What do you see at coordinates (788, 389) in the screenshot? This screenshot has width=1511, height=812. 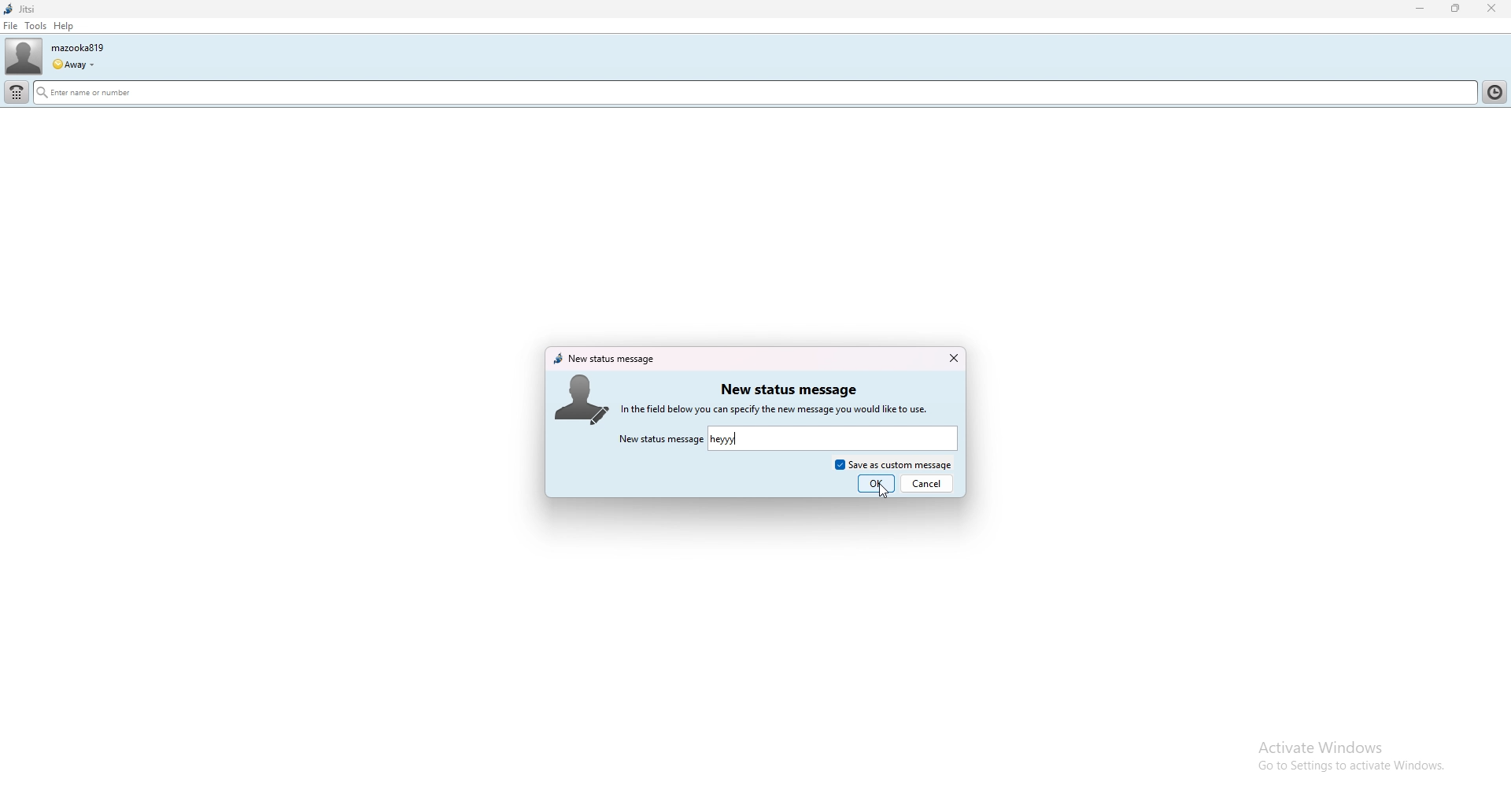 I see `new status message` at bounding box center [788, 389].